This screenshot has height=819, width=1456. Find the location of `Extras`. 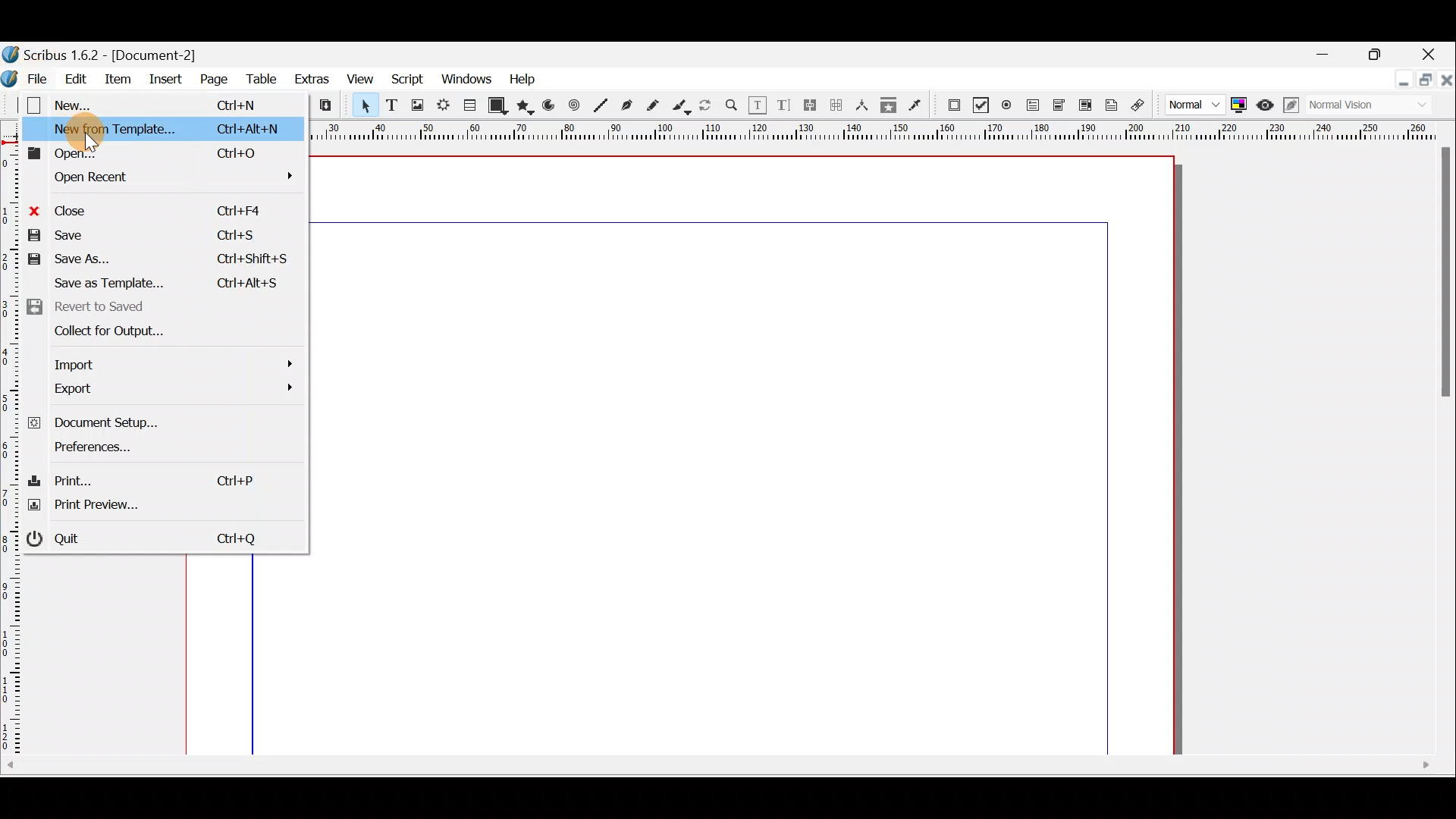

Extras is located at coordinates (311, 77).